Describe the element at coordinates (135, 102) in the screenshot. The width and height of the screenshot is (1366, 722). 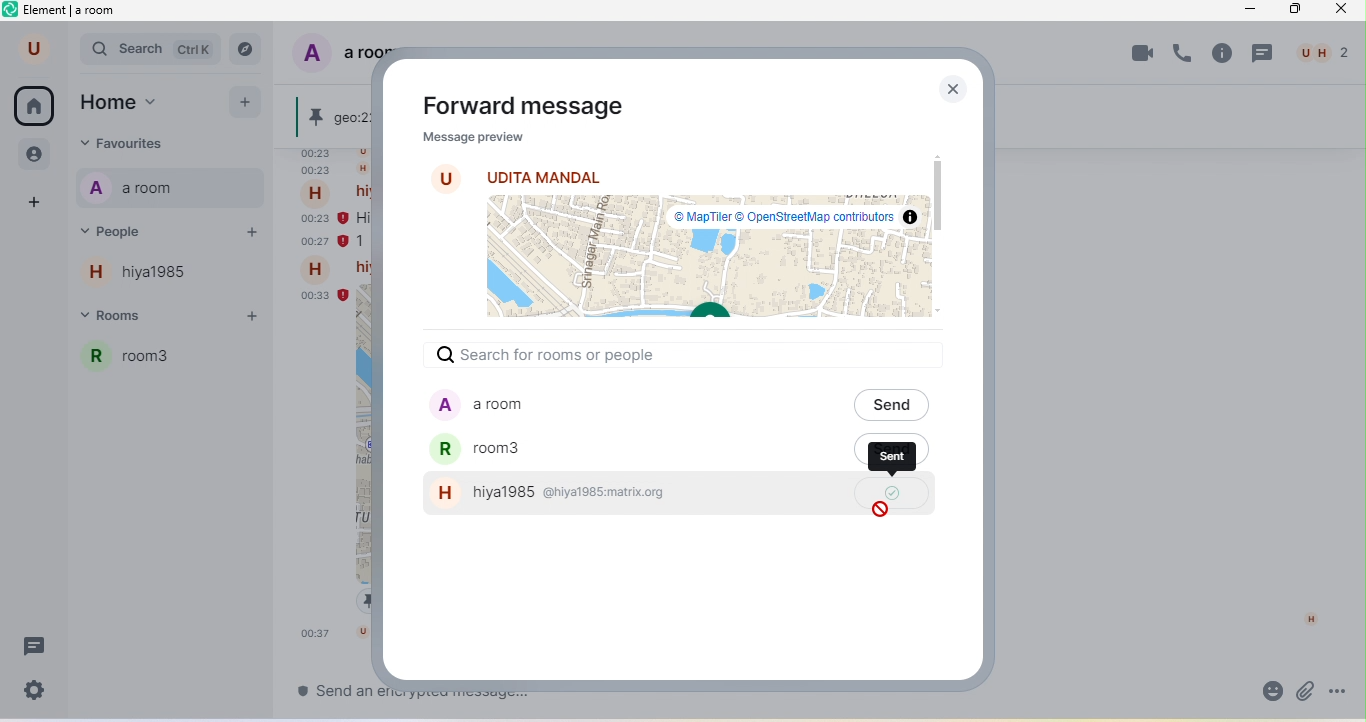
I see `home` at that location.